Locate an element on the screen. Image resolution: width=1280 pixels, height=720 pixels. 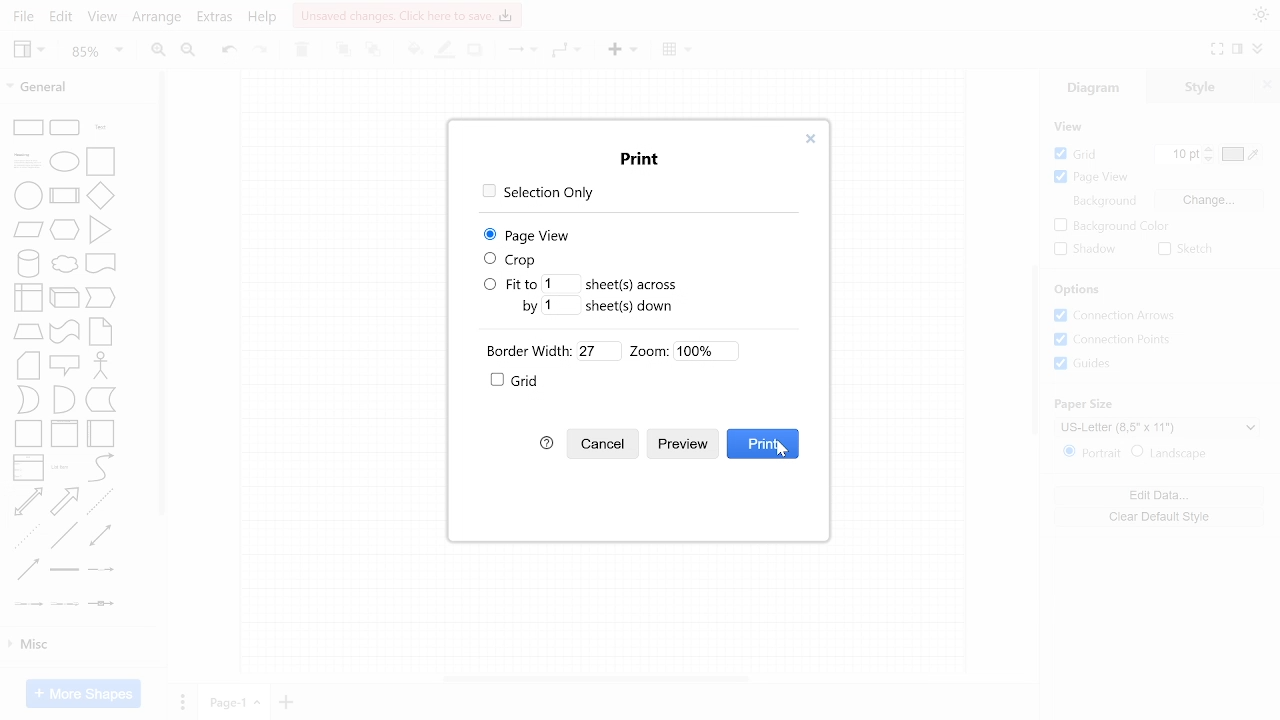
Heading is located at coordinates (27, 161).